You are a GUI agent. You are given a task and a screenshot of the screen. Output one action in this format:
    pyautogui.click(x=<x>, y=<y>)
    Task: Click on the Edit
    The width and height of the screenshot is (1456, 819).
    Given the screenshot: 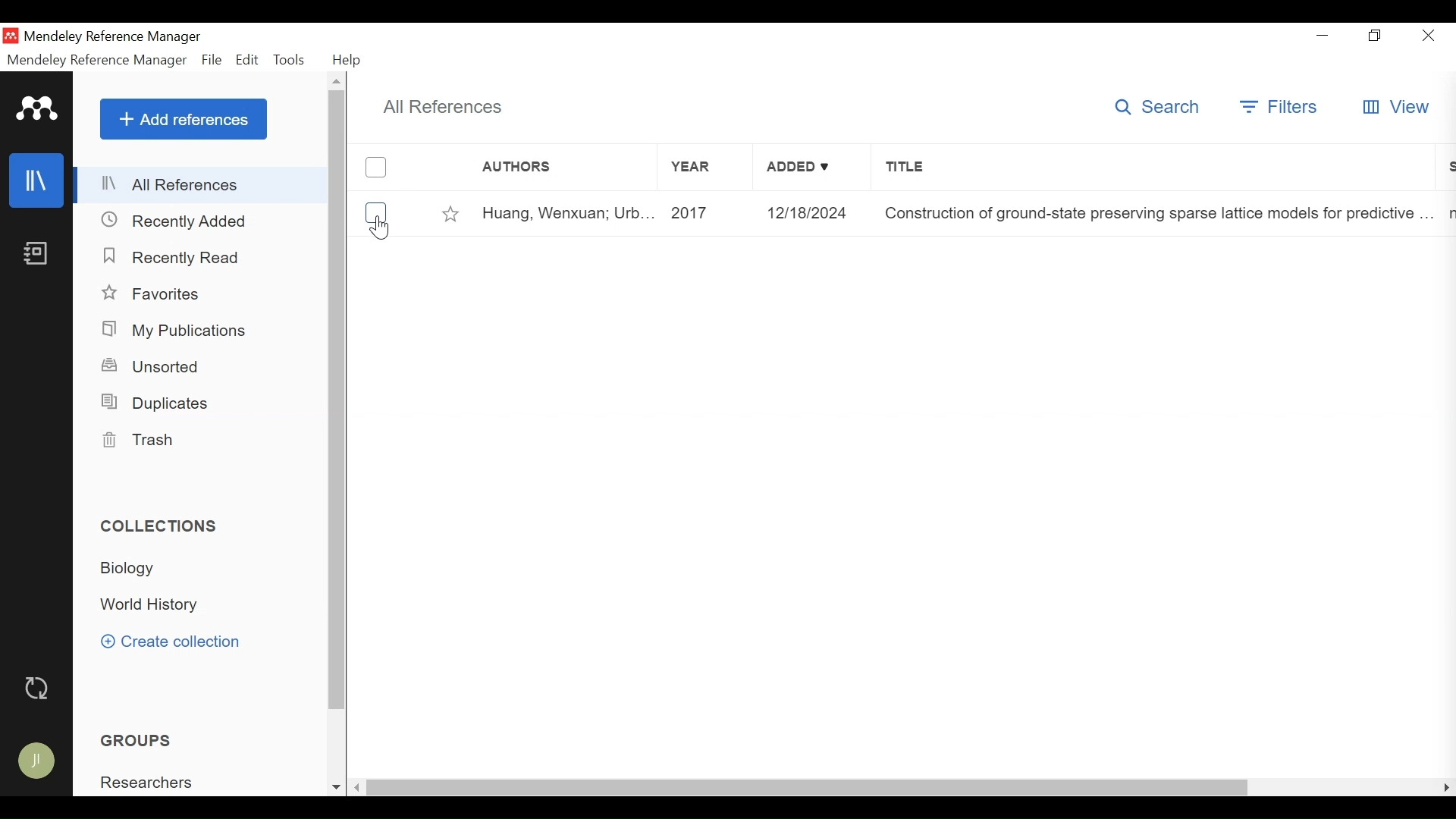 What is the action you would take?
    pyautogui.click(x=246, y=61)
    